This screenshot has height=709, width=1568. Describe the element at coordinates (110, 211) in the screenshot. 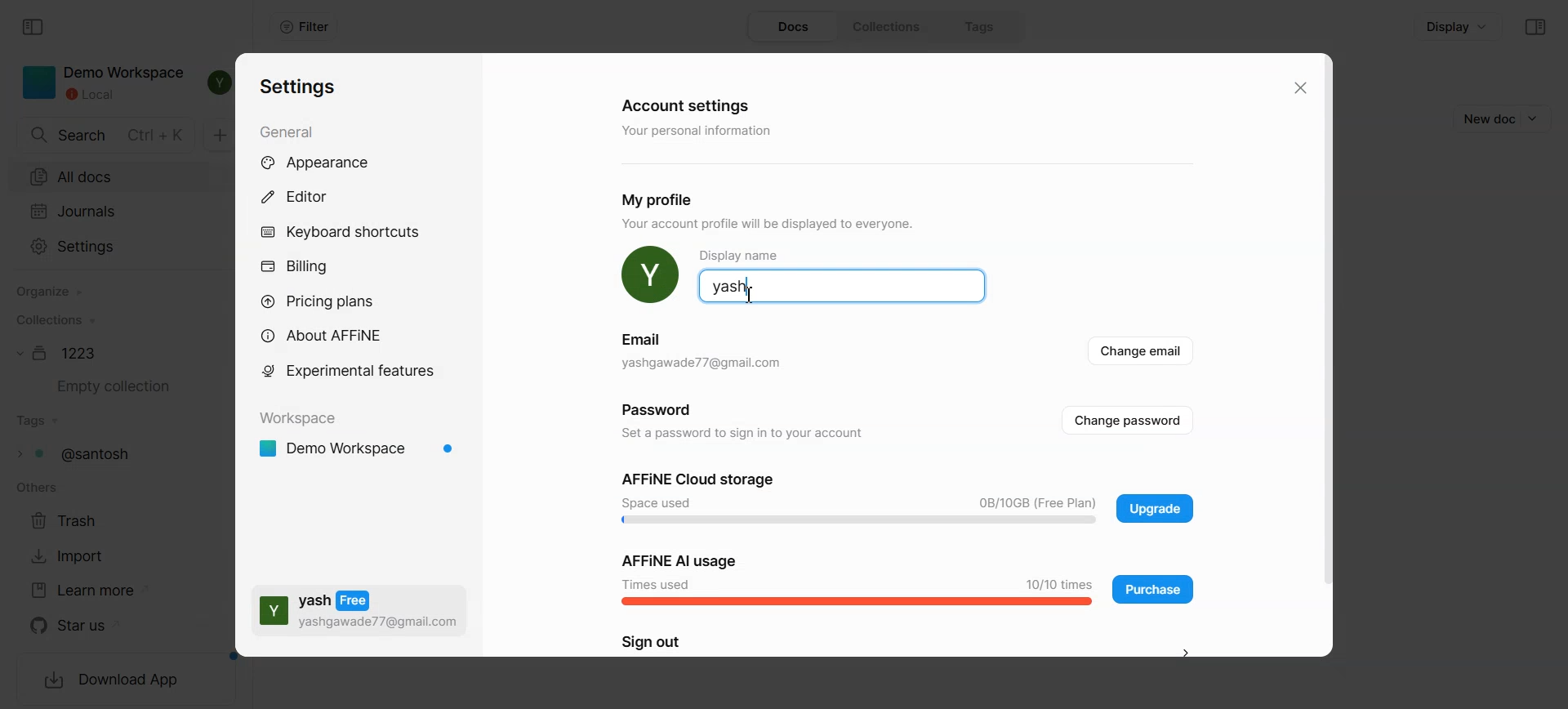

I see `Journals` at that location.